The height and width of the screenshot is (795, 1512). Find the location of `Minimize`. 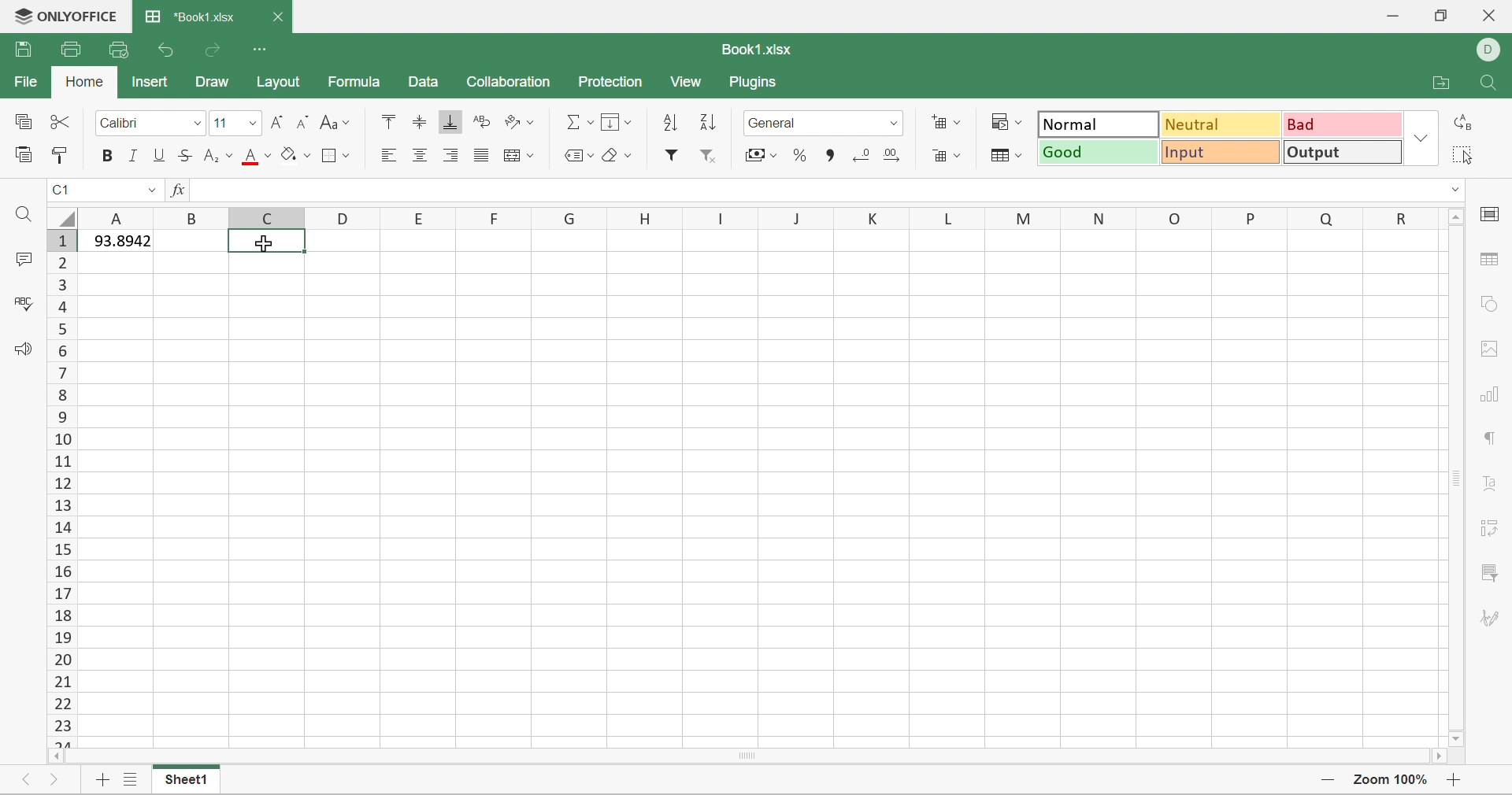

Minimize is located at coordinates (1390, 16).